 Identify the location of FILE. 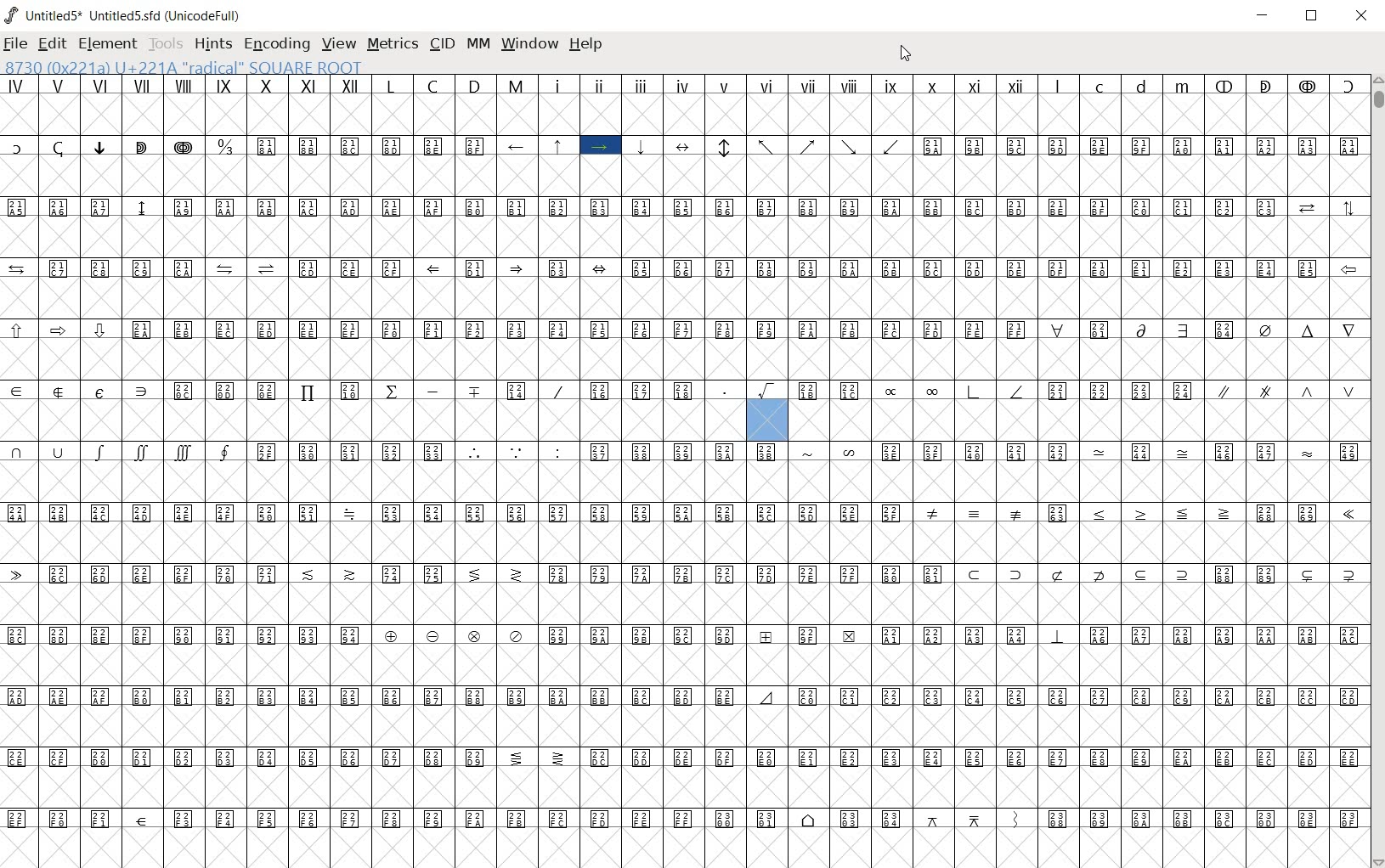
(15, 46).